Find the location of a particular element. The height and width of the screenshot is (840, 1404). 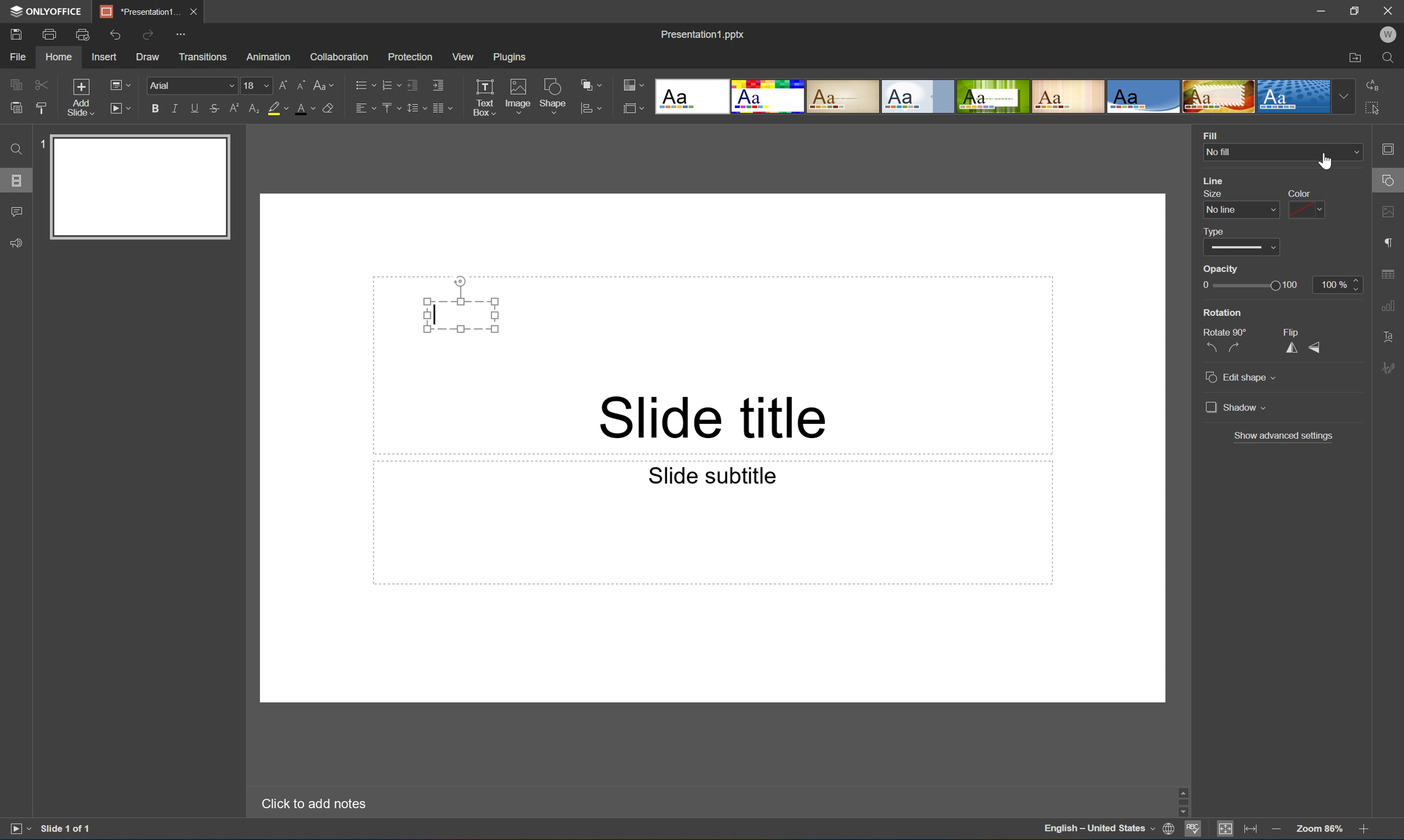

align shape is located at coordinates (593, 109).